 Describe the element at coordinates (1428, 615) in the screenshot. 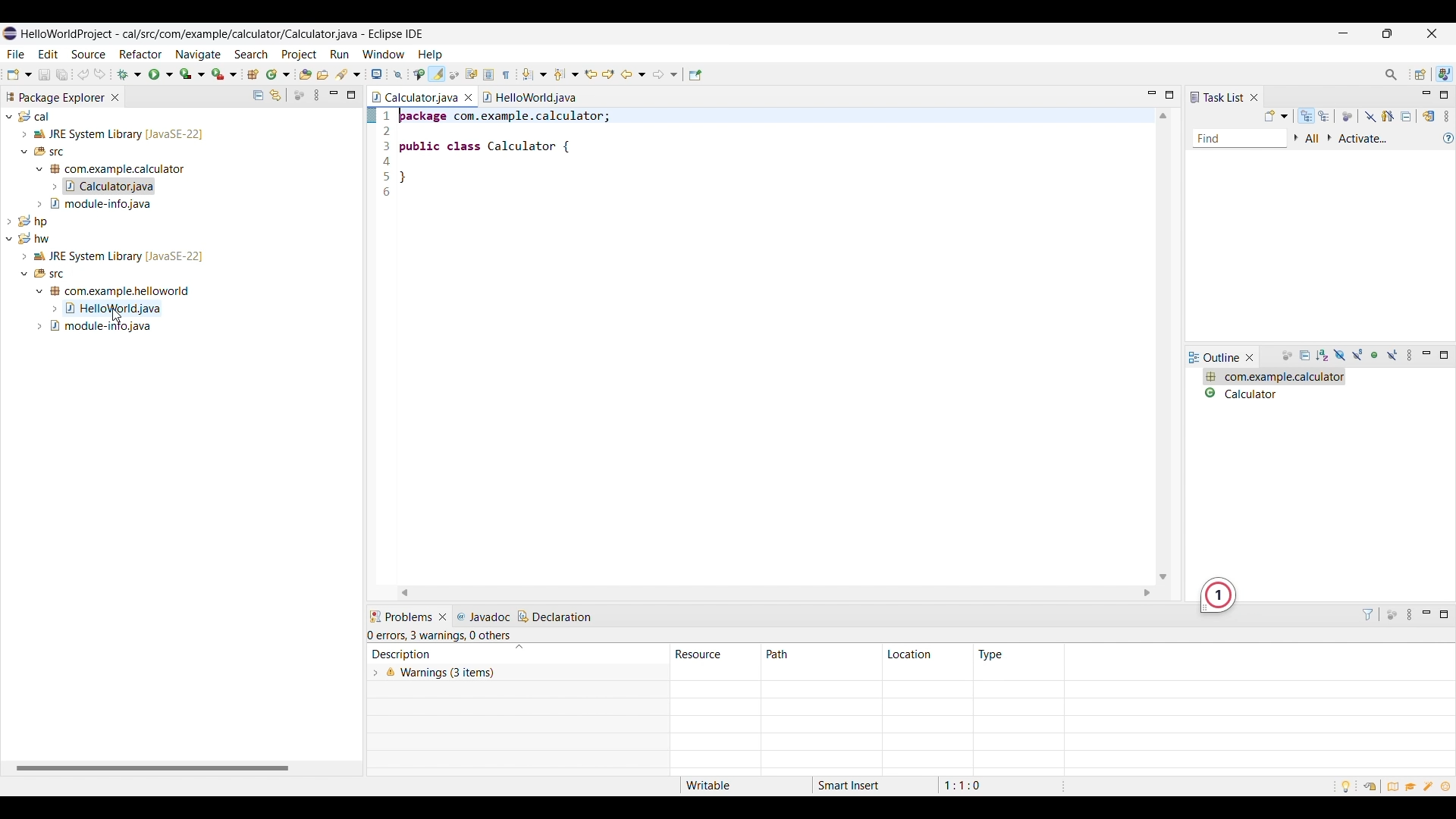

I see `Minimize` at that location.